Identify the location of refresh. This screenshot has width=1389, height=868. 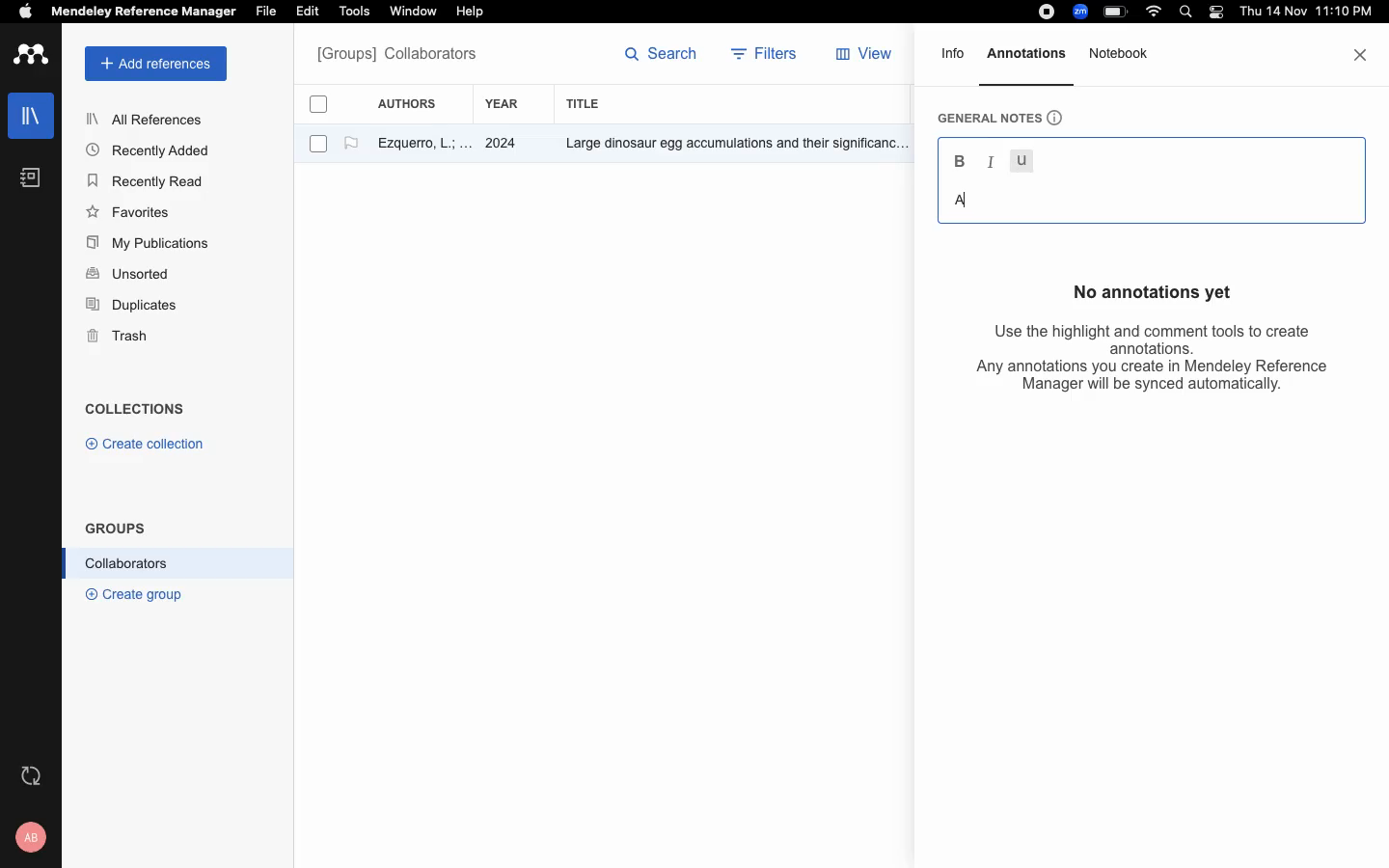
(34, 775).